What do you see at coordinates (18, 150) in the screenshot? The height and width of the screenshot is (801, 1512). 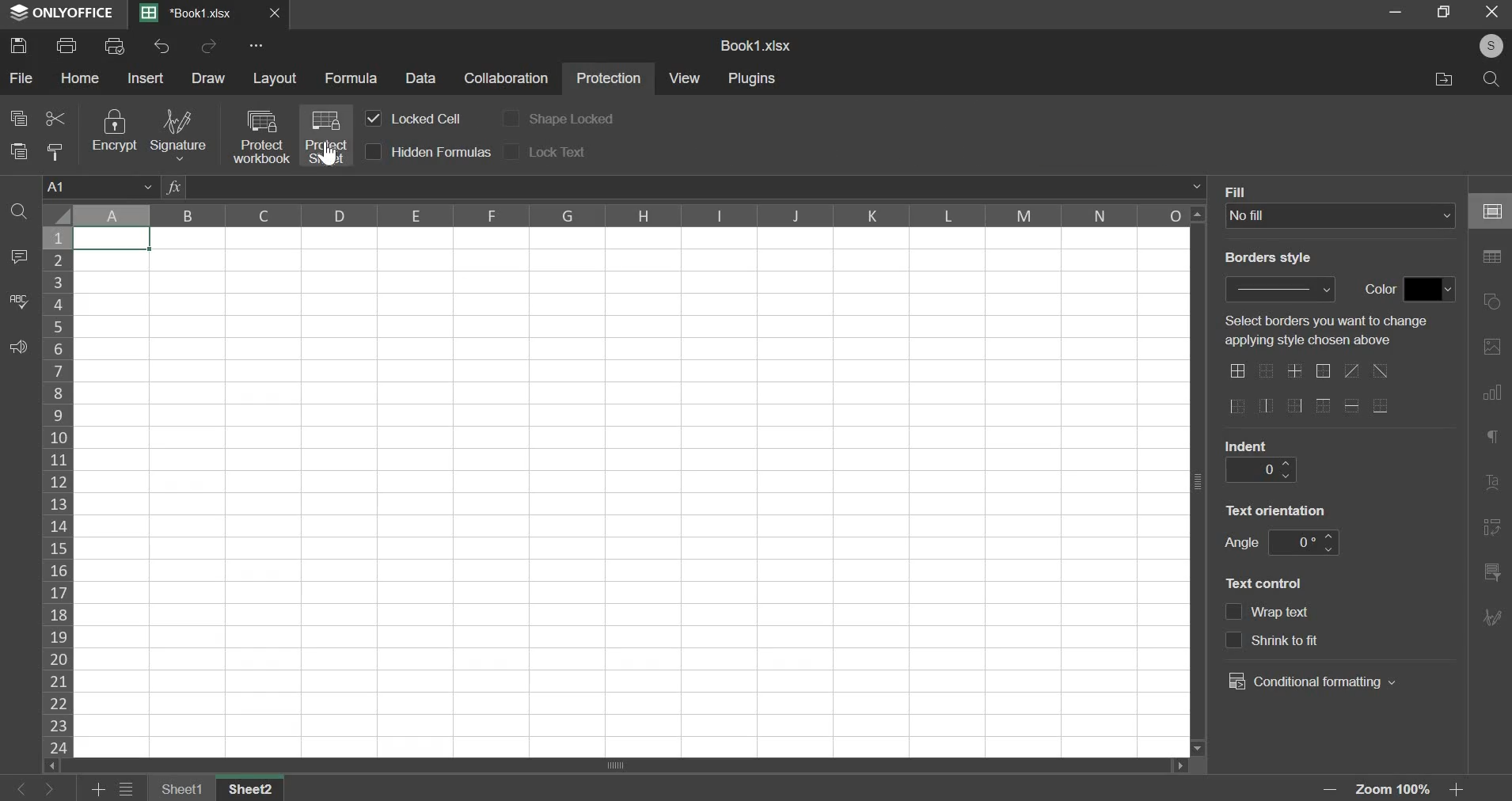 I see `paste` at bounding box center [18, 150].